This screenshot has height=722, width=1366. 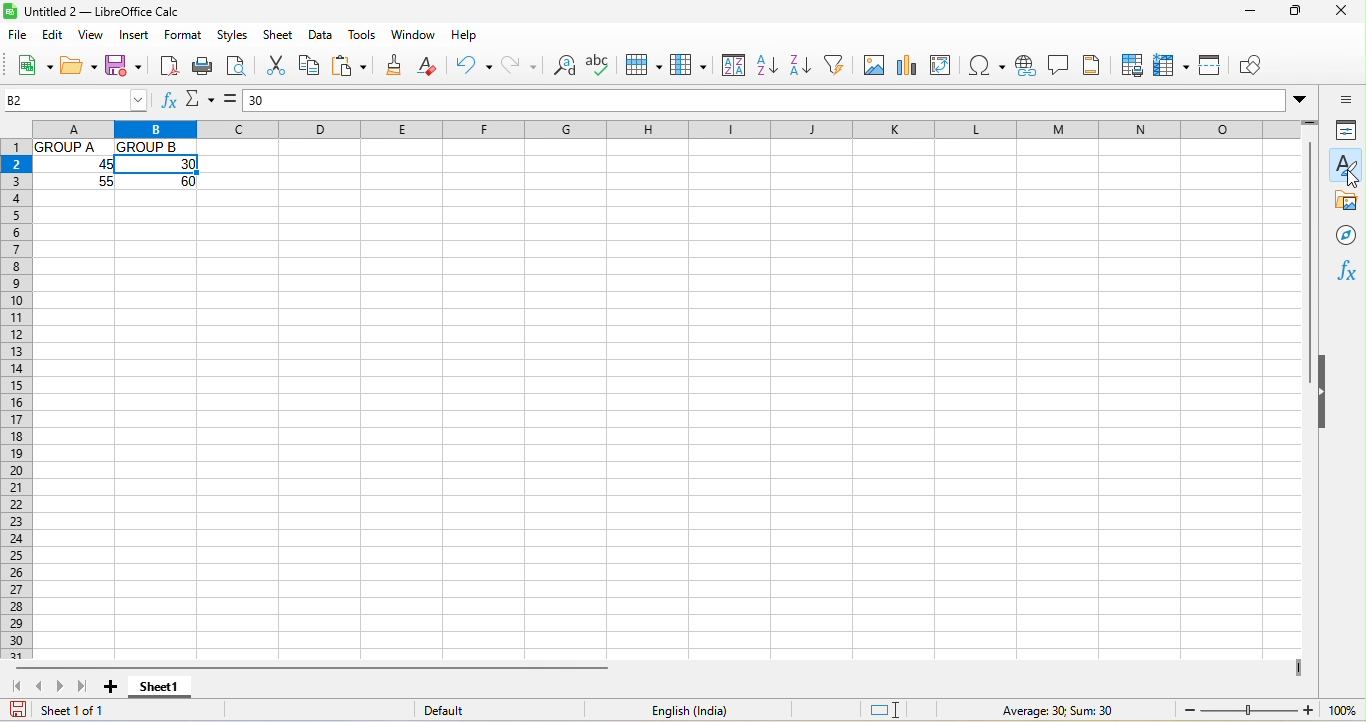 What do you see at coordinates (686, 711) in the screenshot?
I see `English (India)` at bounding box center [686, 711].